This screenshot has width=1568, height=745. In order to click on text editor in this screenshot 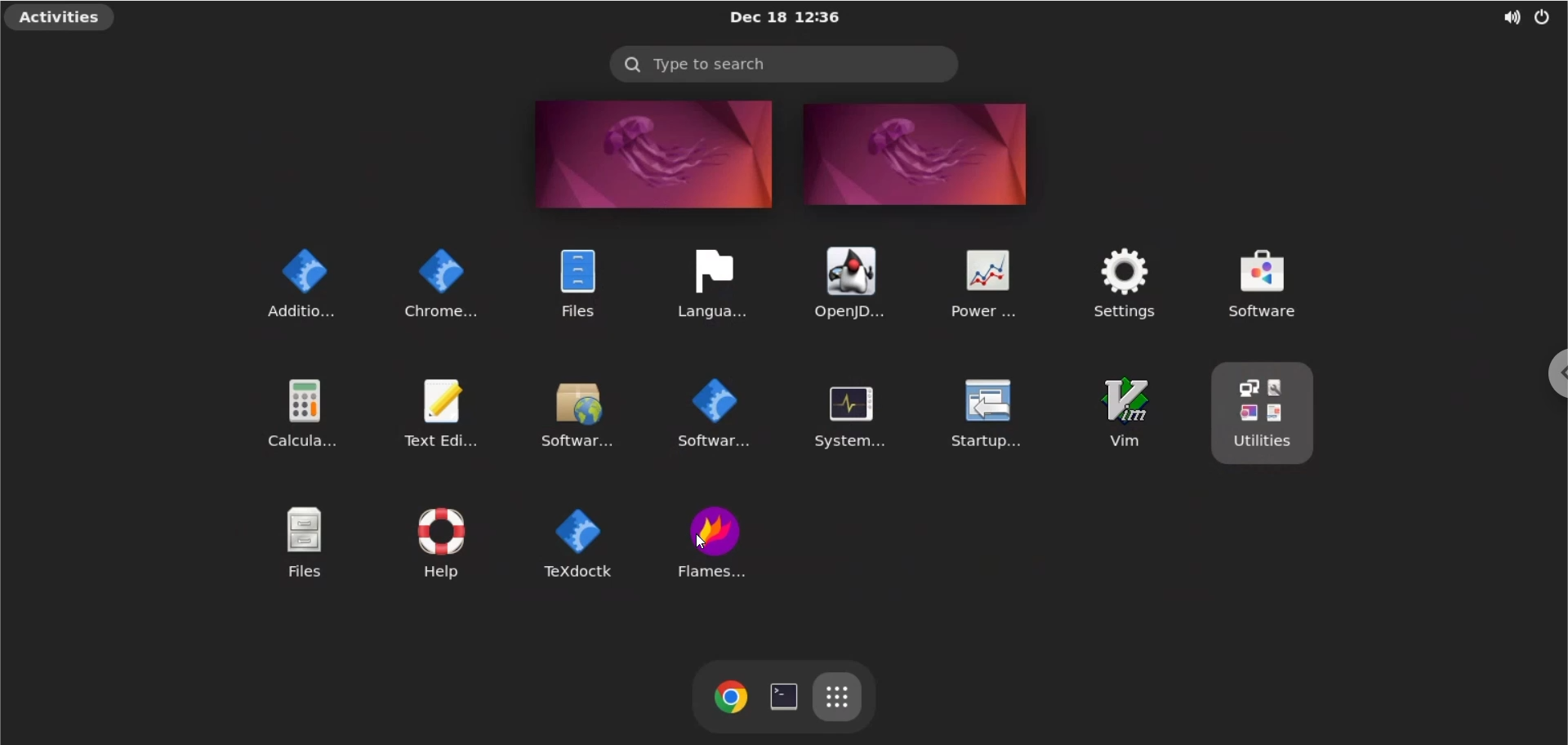, I will do `click(450, 408)`.